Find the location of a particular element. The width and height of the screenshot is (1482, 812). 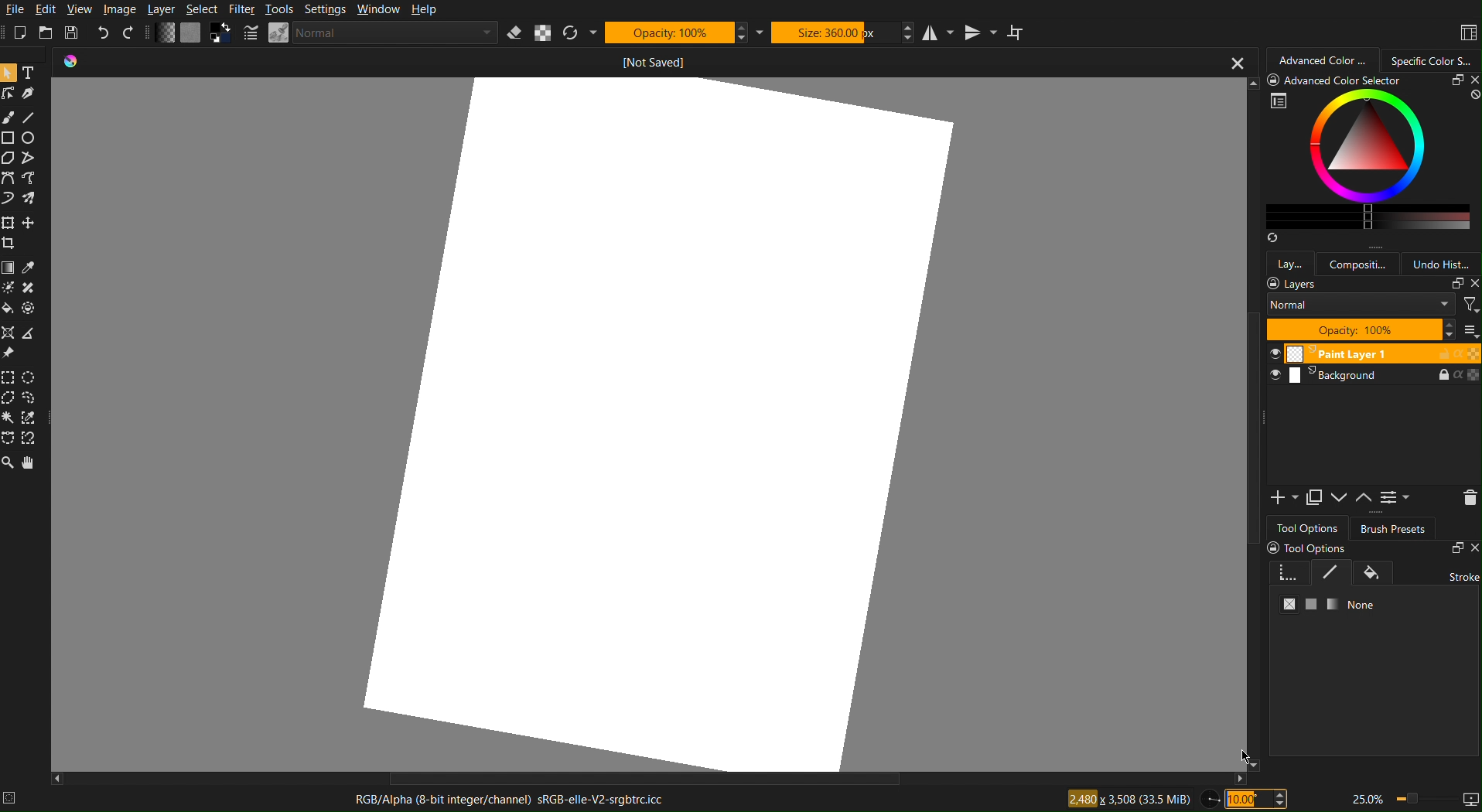

Similar Color Selection Tool is located at coordinates (28, 418).